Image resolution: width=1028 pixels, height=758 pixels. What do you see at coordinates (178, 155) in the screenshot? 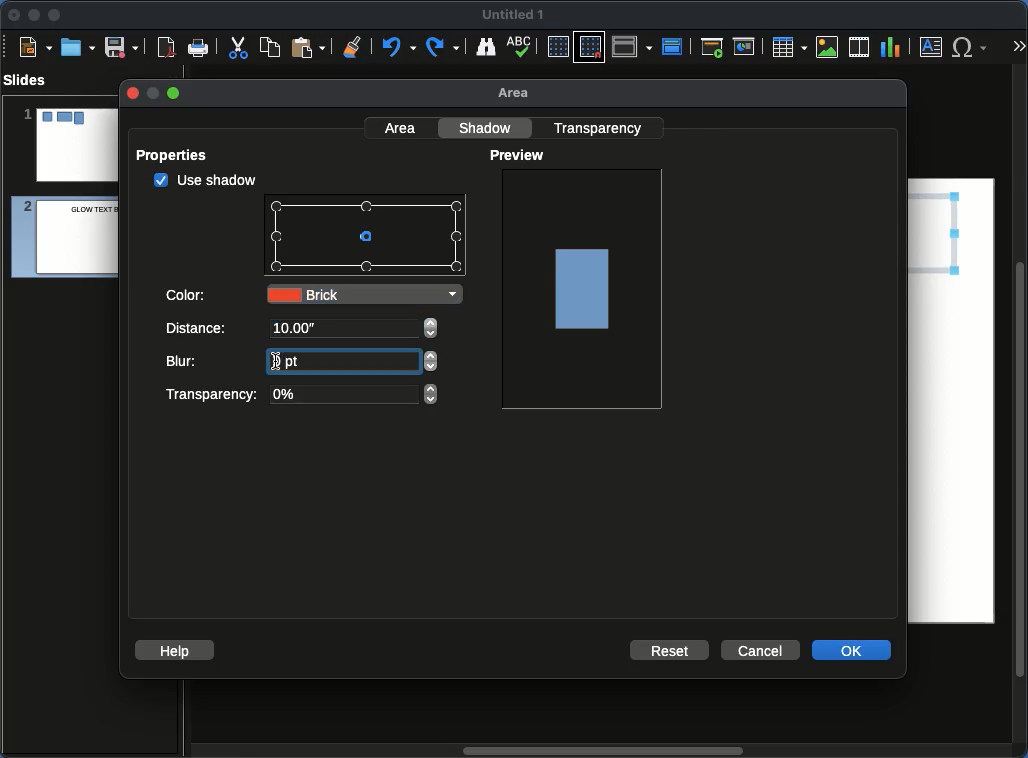
I see `Properties` at bounding box center [178, 155].